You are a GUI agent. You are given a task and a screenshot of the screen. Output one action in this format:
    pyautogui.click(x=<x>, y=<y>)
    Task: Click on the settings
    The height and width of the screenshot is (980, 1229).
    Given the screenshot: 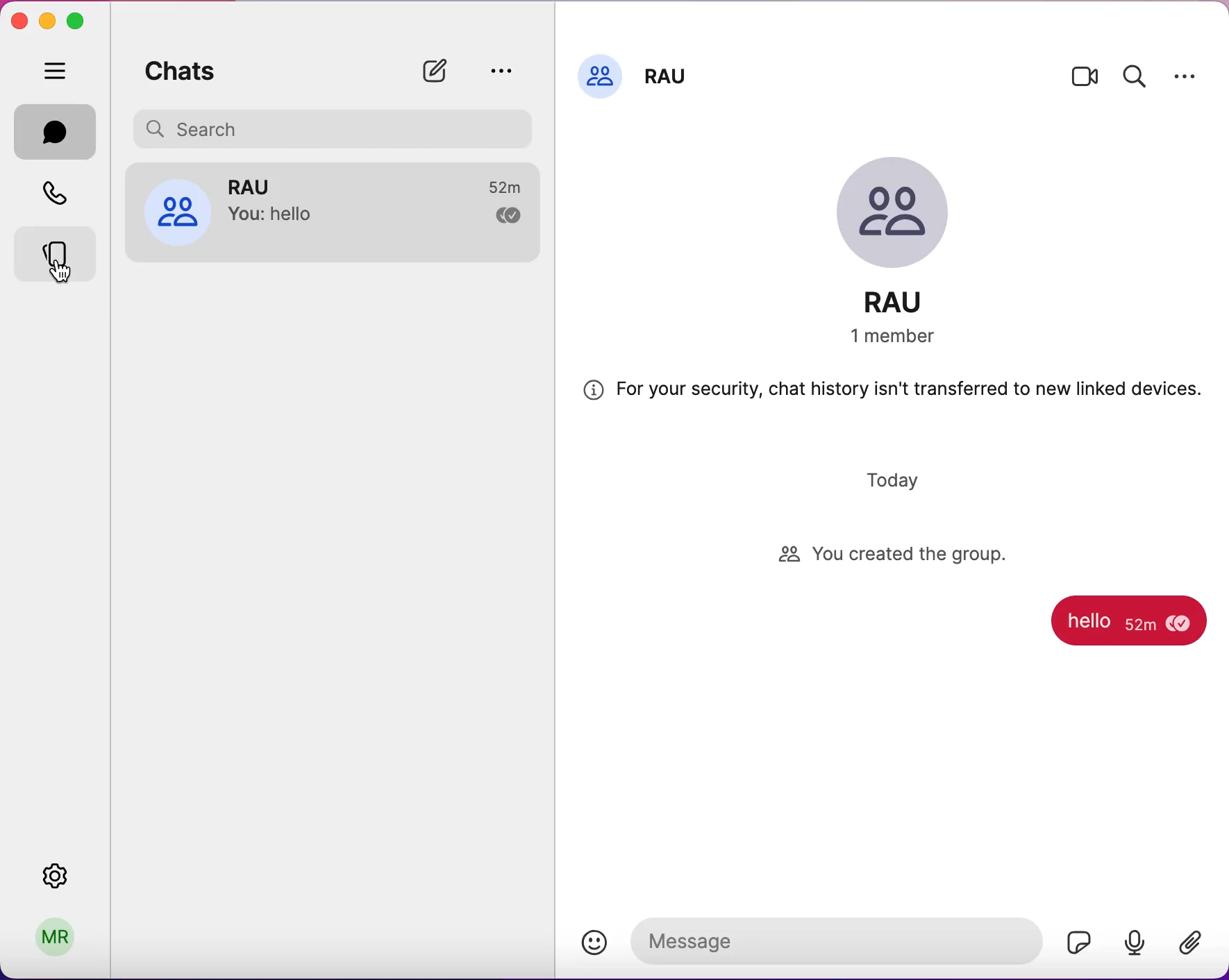 What is the action you would take?
    pyautogui.click(x=69, y=876)
    